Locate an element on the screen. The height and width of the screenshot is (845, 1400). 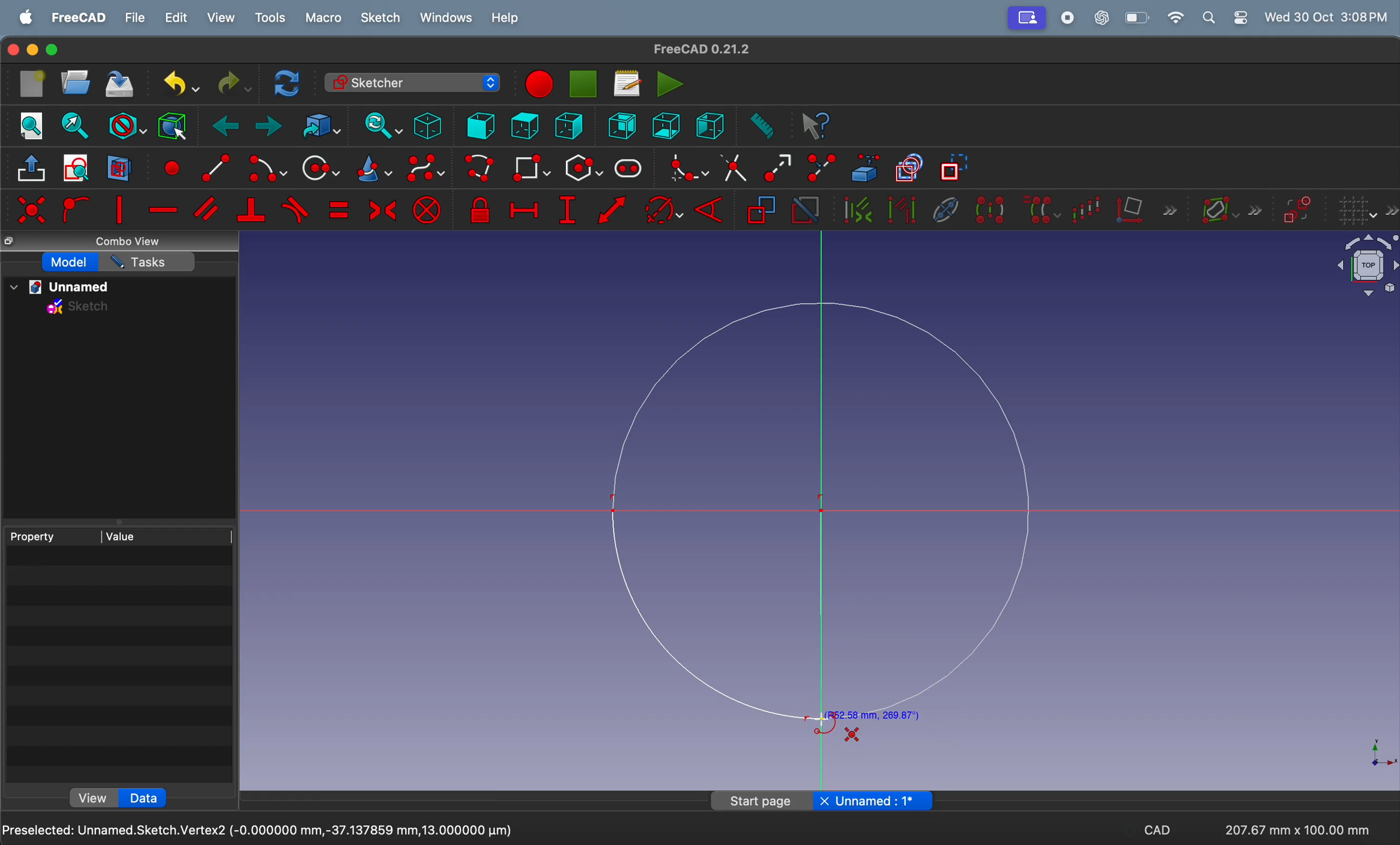
create circle is located at coordinates (320, 168).